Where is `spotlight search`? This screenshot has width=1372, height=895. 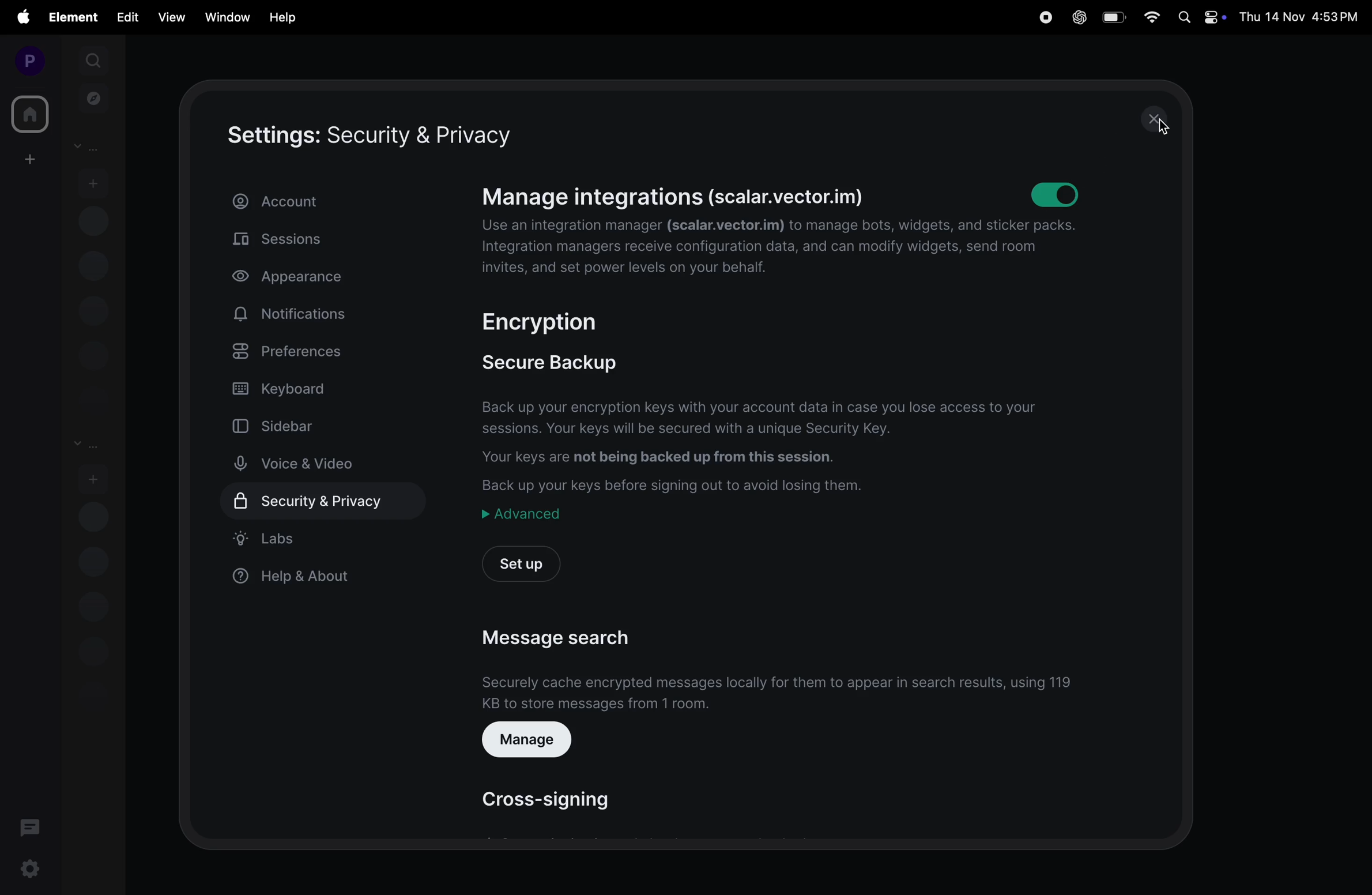 spotlight search is located at coordinates (1183, 16).